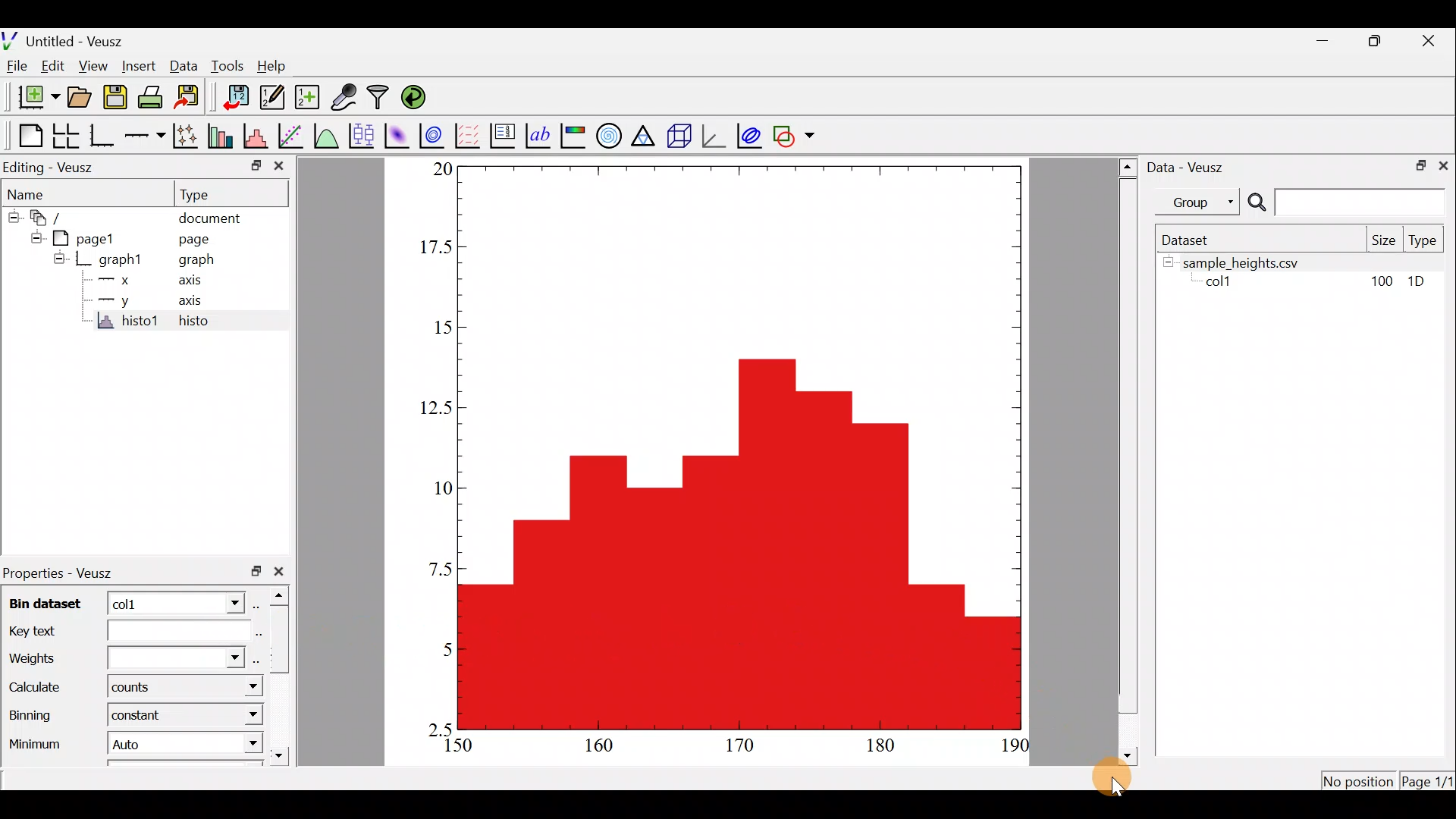 The image size is (1456, 819). I want to click on 15, so click(435, 325).